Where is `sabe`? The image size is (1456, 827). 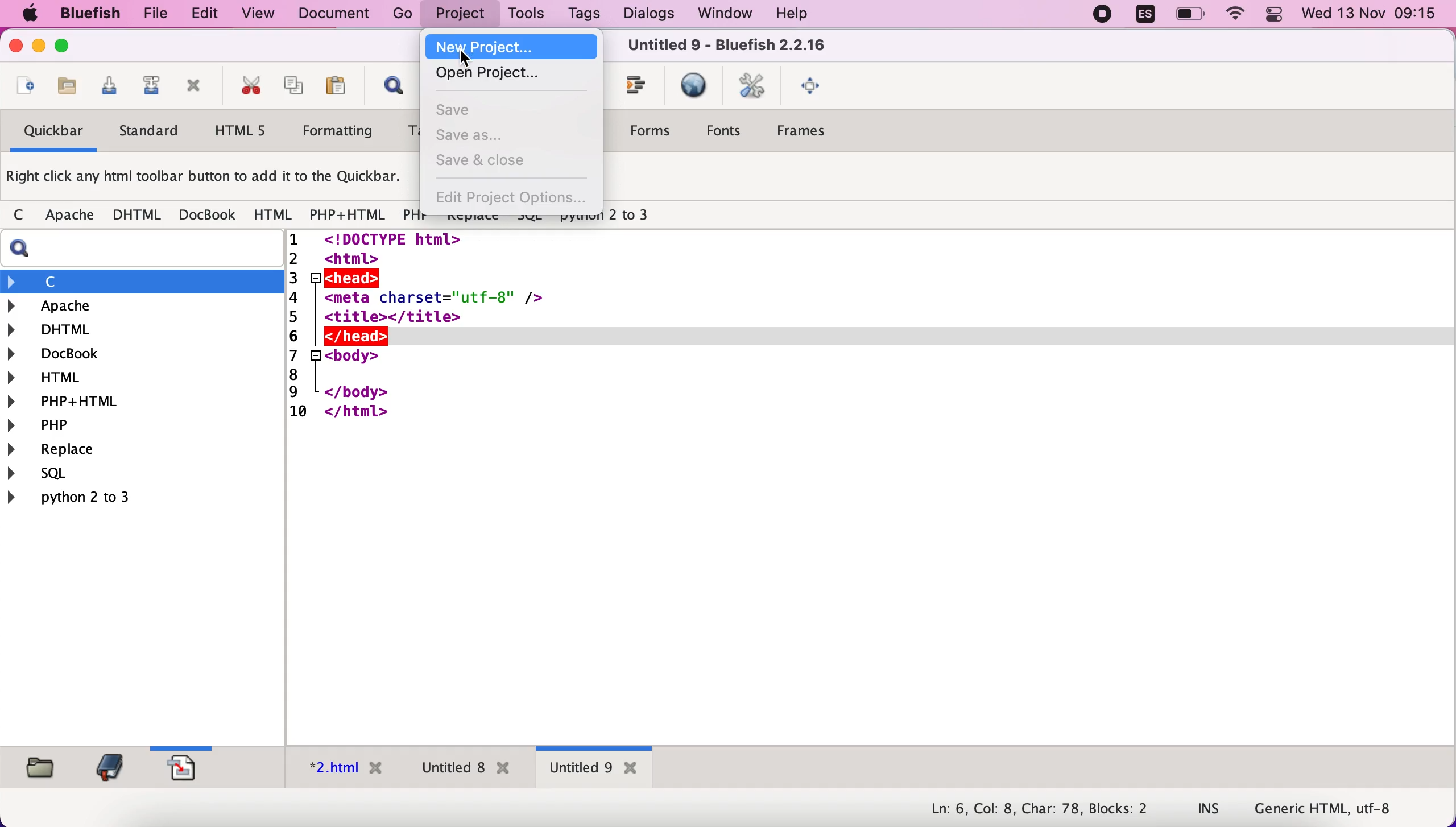 sabe is located at coordinates (470, 111).